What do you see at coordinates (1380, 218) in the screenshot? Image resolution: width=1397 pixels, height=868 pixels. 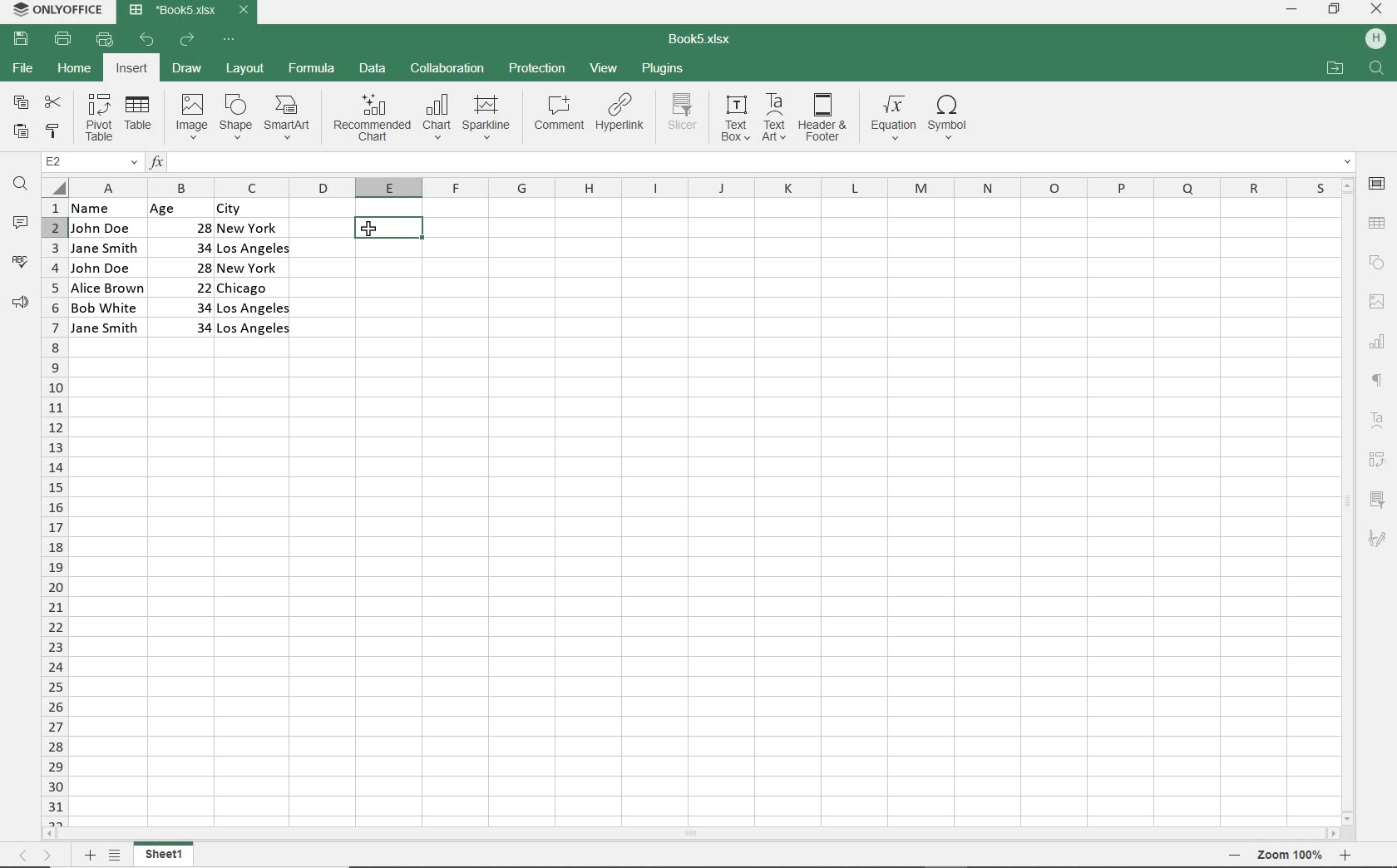 I see `TABLE` at bounding box center [1380, 218].